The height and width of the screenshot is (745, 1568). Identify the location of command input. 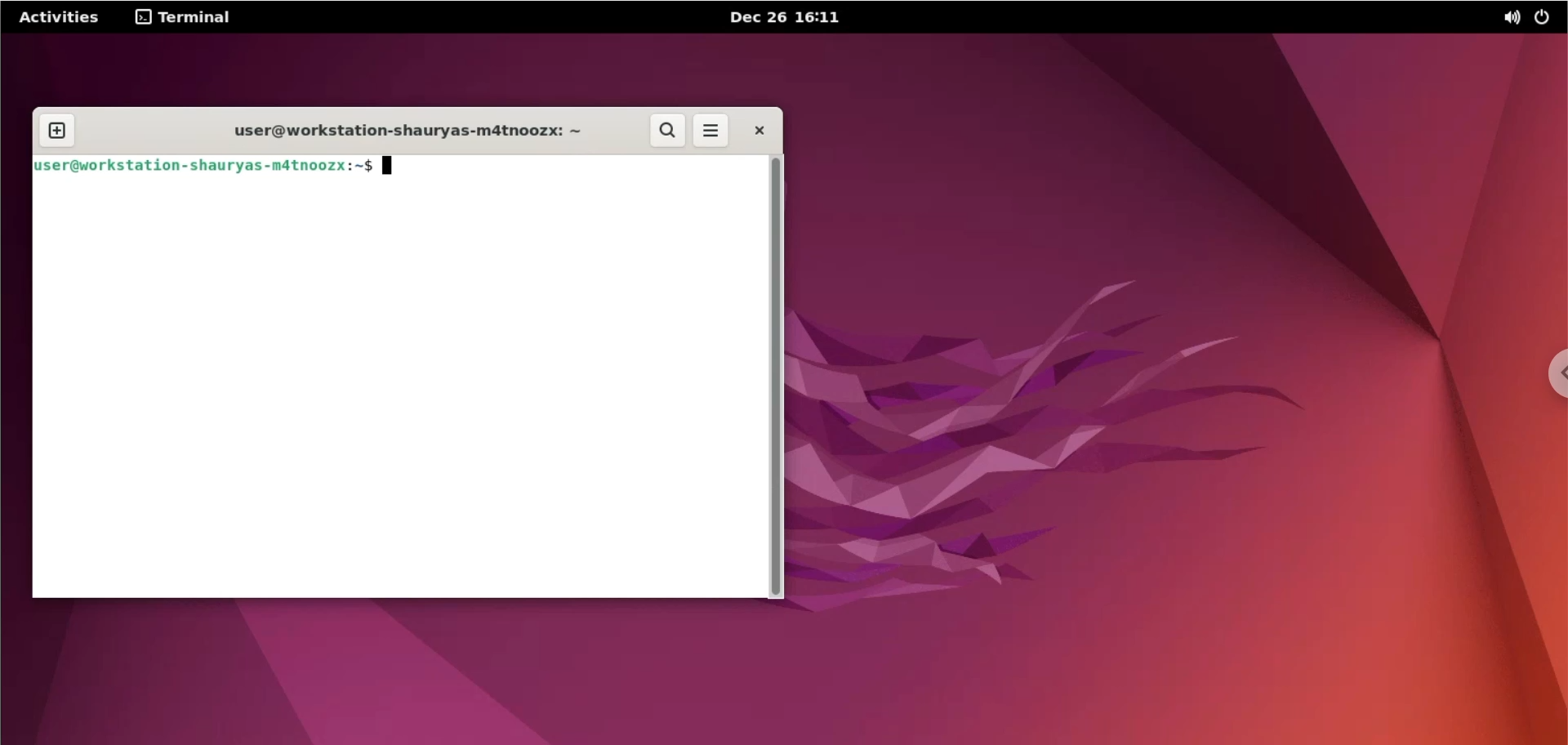
(571, 167).